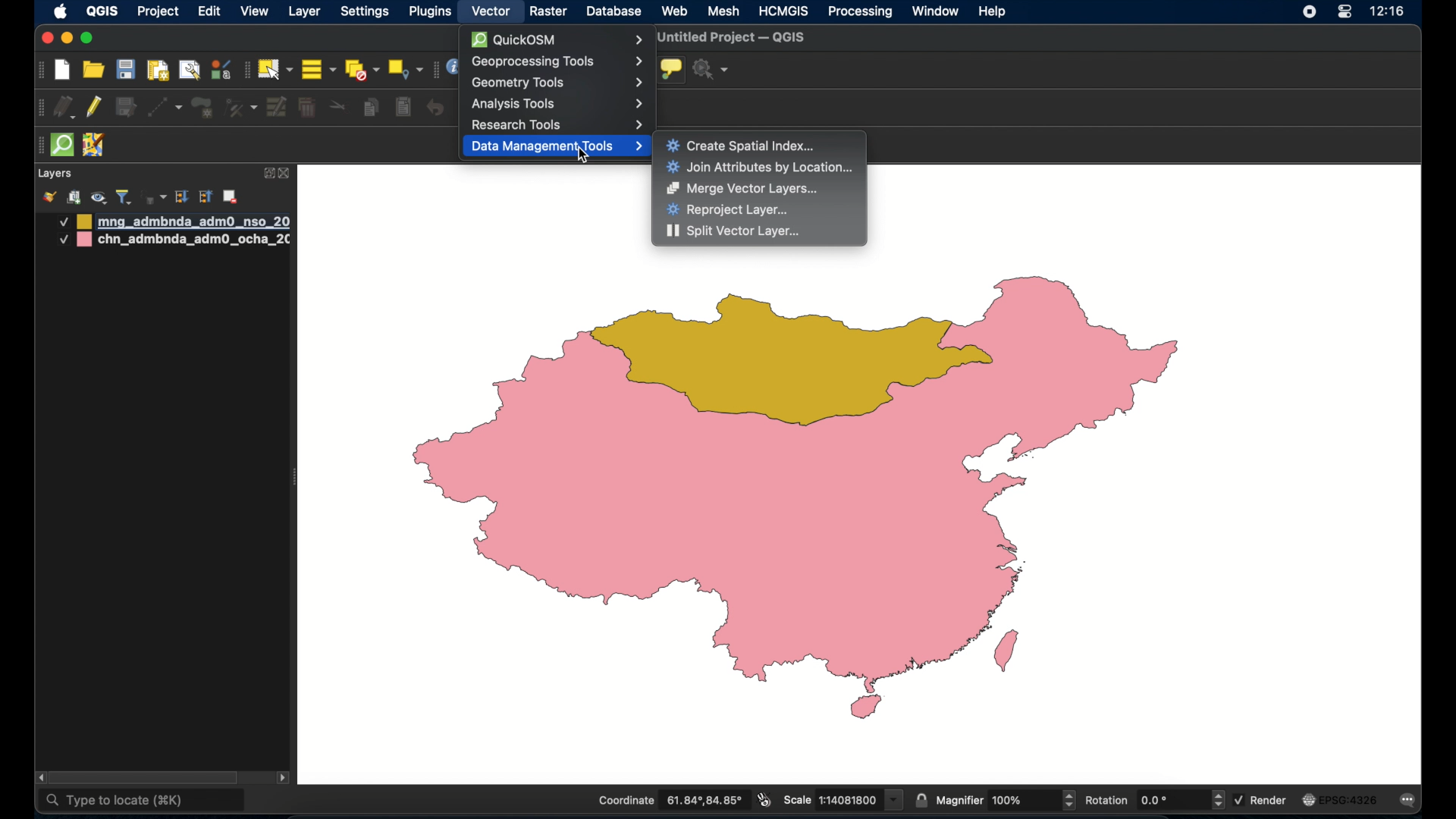 Image resolution: width=1456 pixels, height=819 pixels. I want to click on ventor data of Mongolia and china, so click(814, 498).